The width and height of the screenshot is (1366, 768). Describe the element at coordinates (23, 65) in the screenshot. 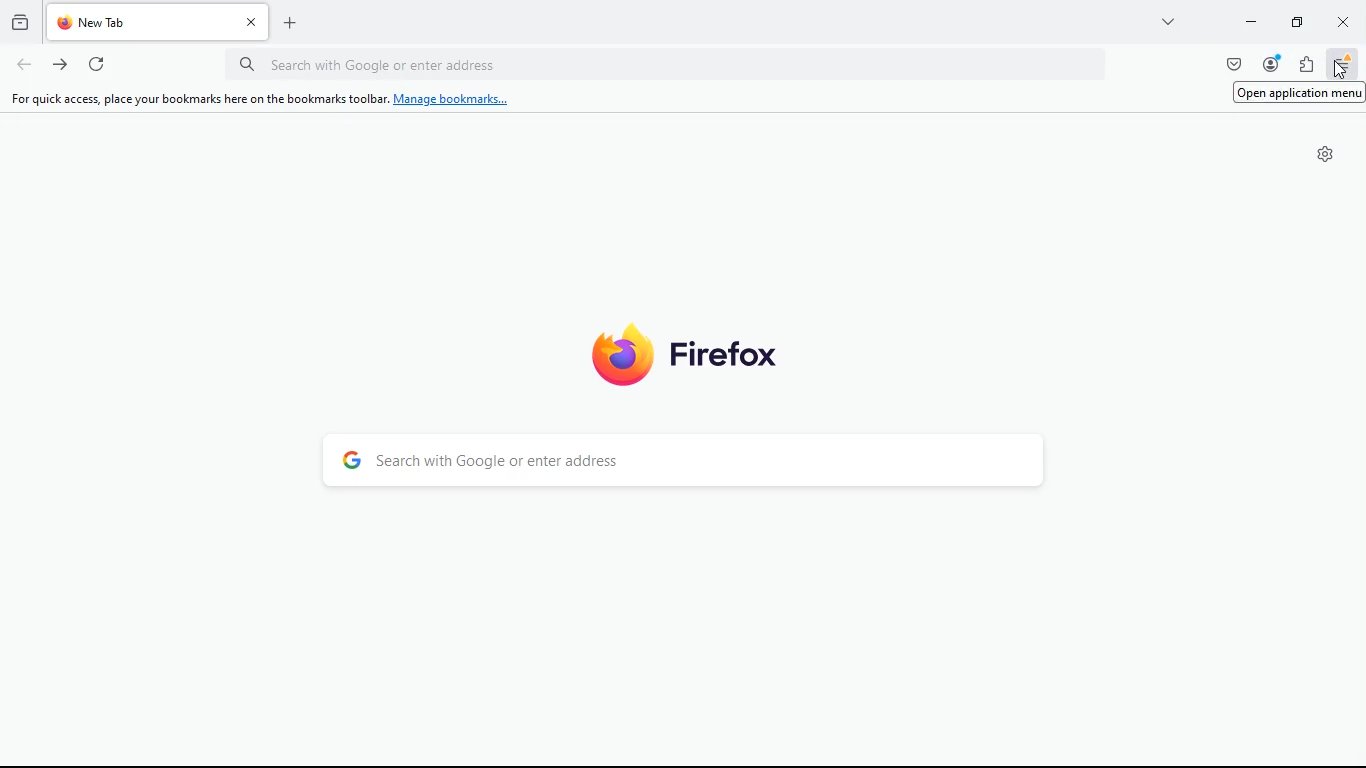

I see `back` at that location.